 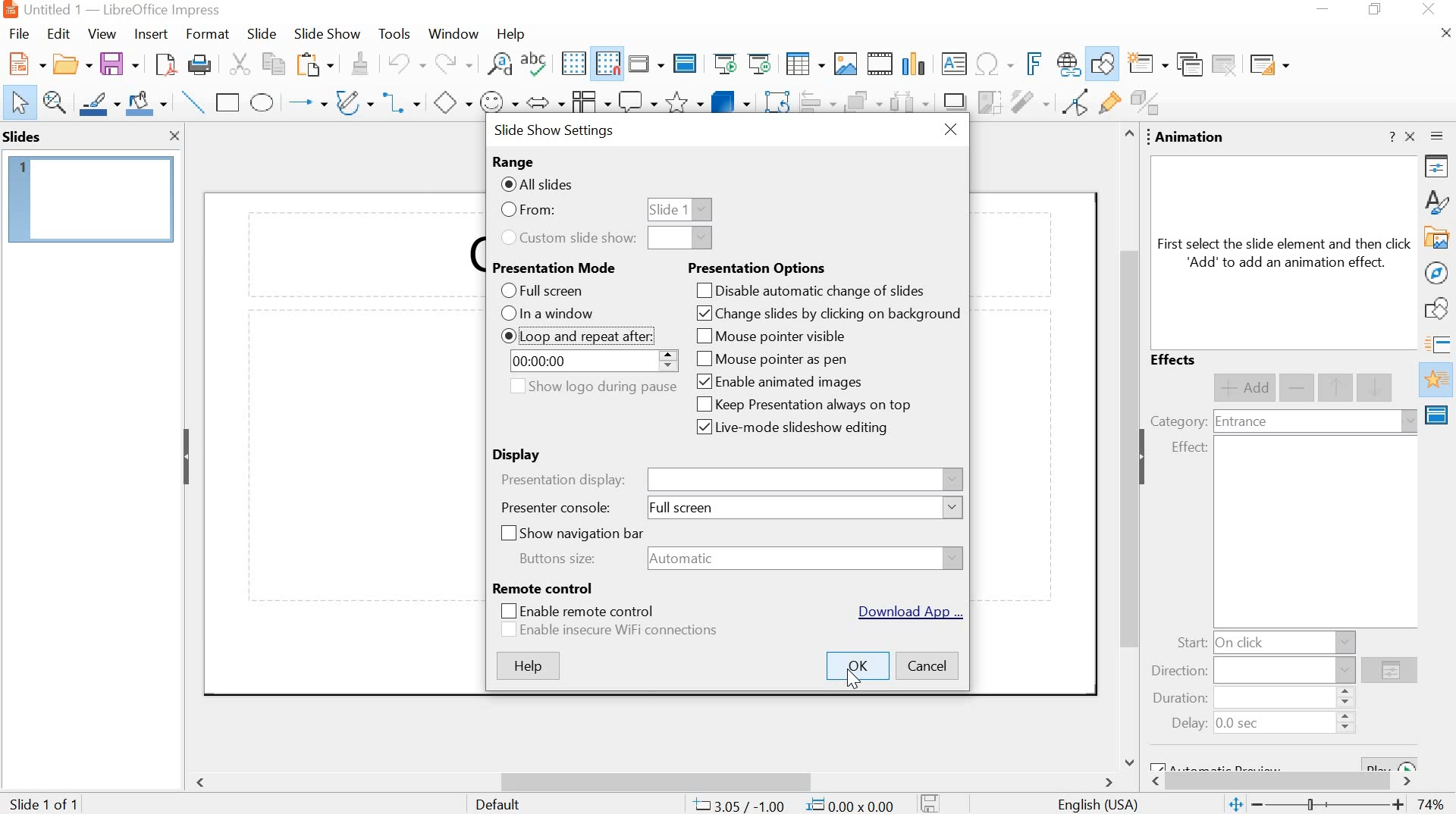 What do you see at coordinates (260, 34) in the screenshot?
I see `slide menu` at bounding box center [260, 34].